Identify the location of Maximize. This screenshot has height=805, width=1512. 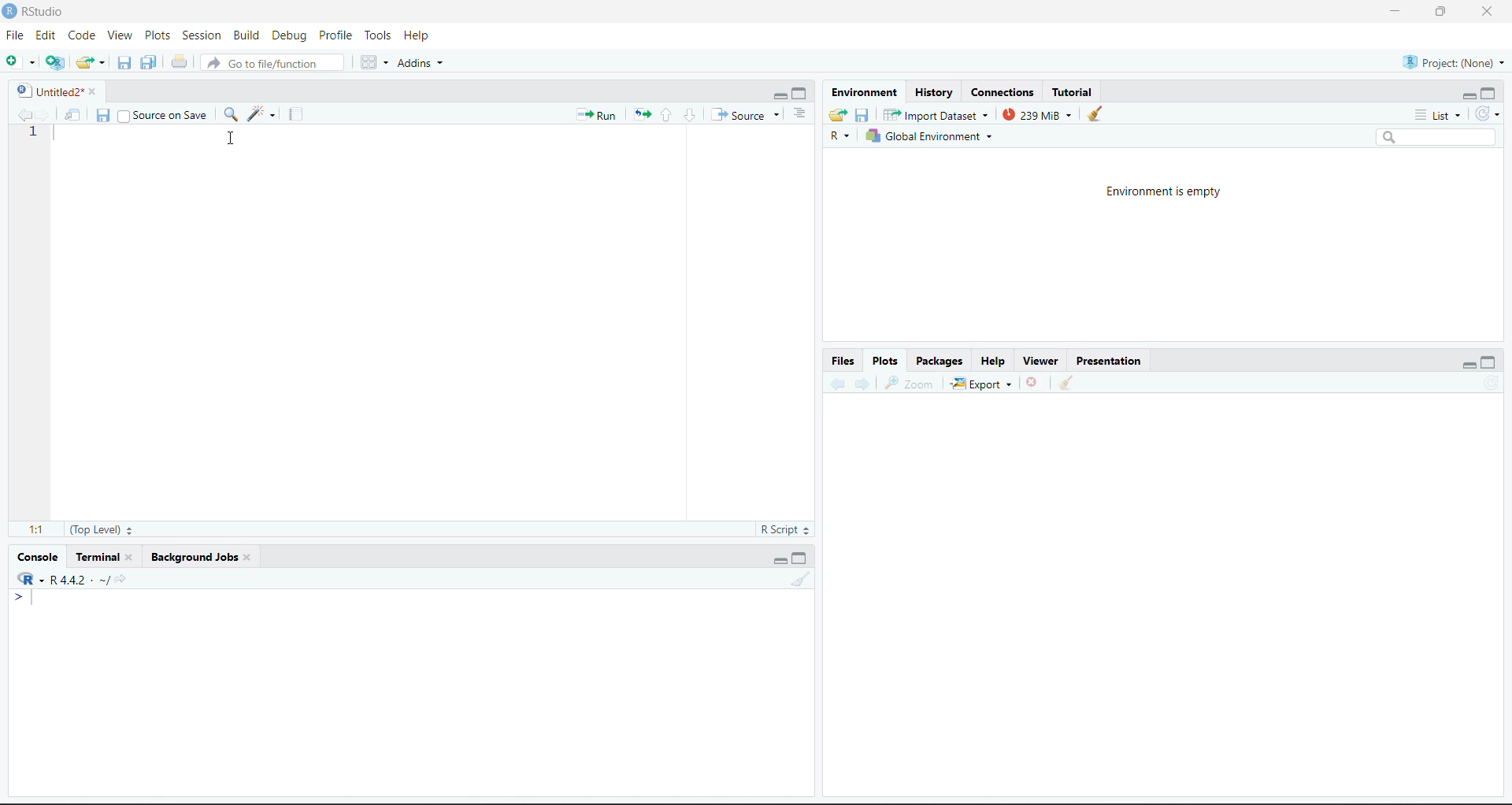
(802, 91).